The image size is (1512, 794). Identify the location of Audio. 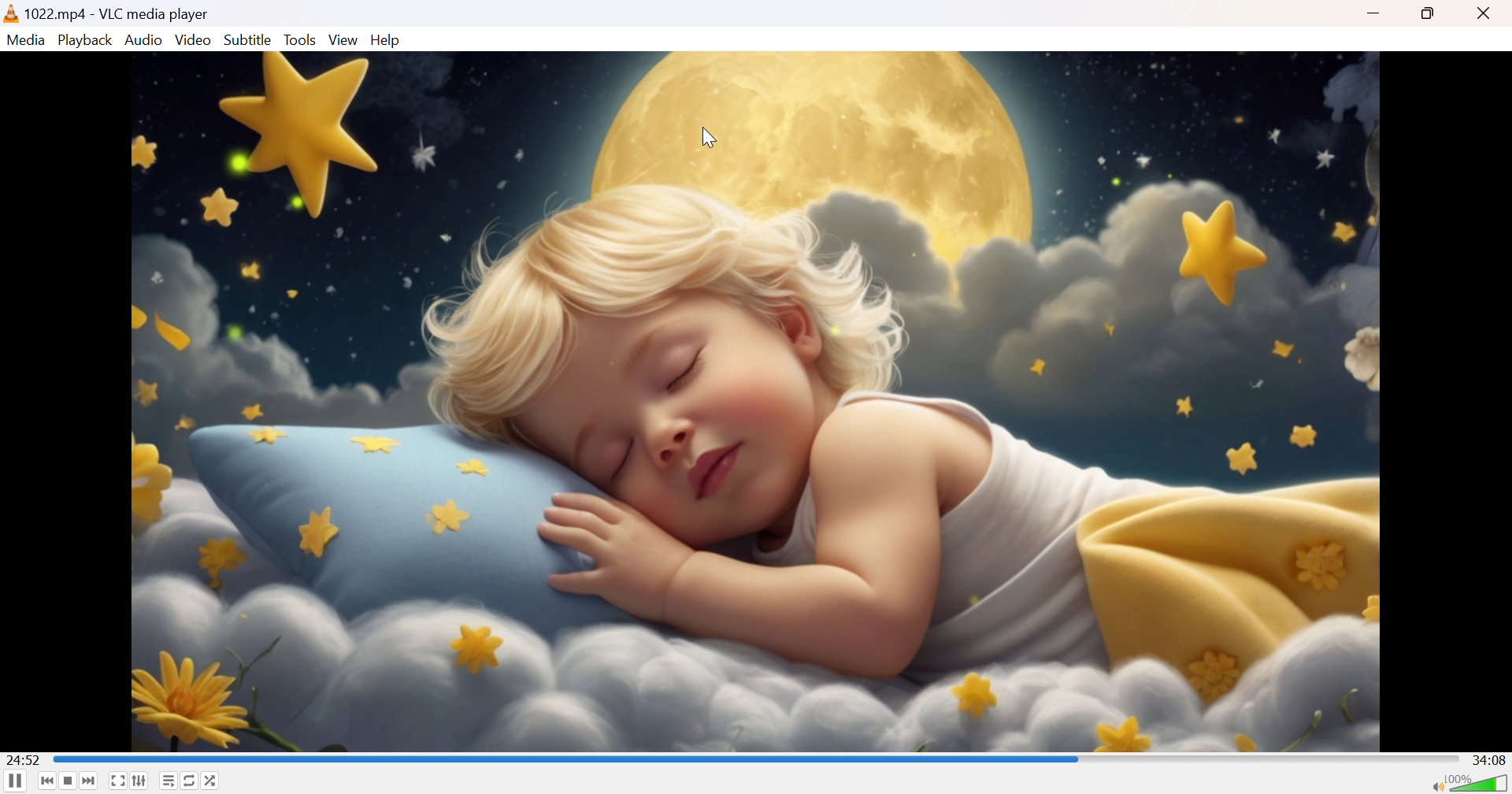
(145, 39).